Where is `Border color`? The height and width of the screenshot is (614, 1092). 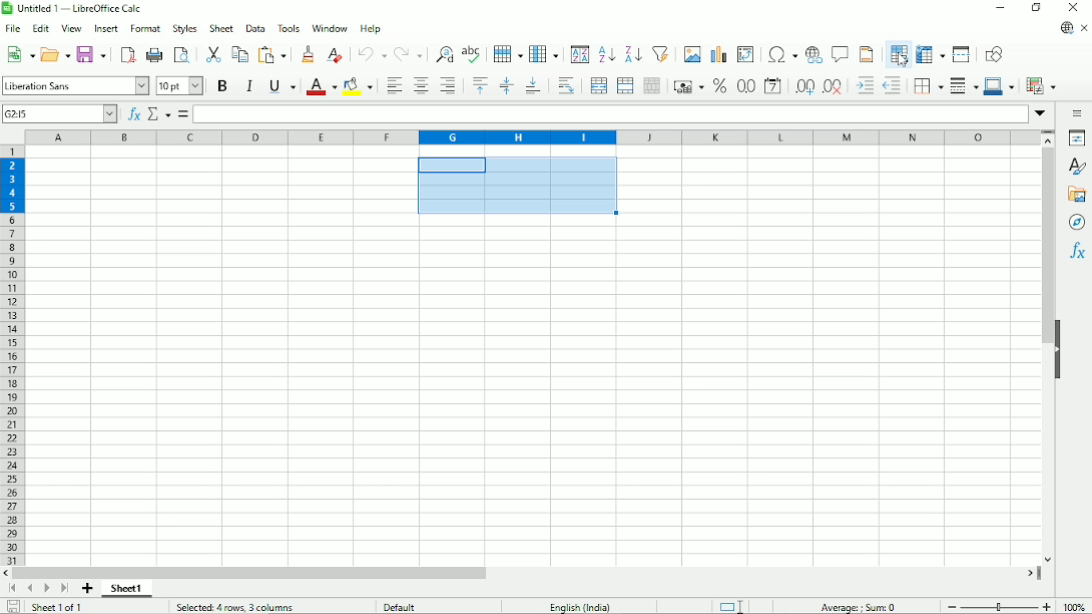
Border color is located at coordinates (999, 86).